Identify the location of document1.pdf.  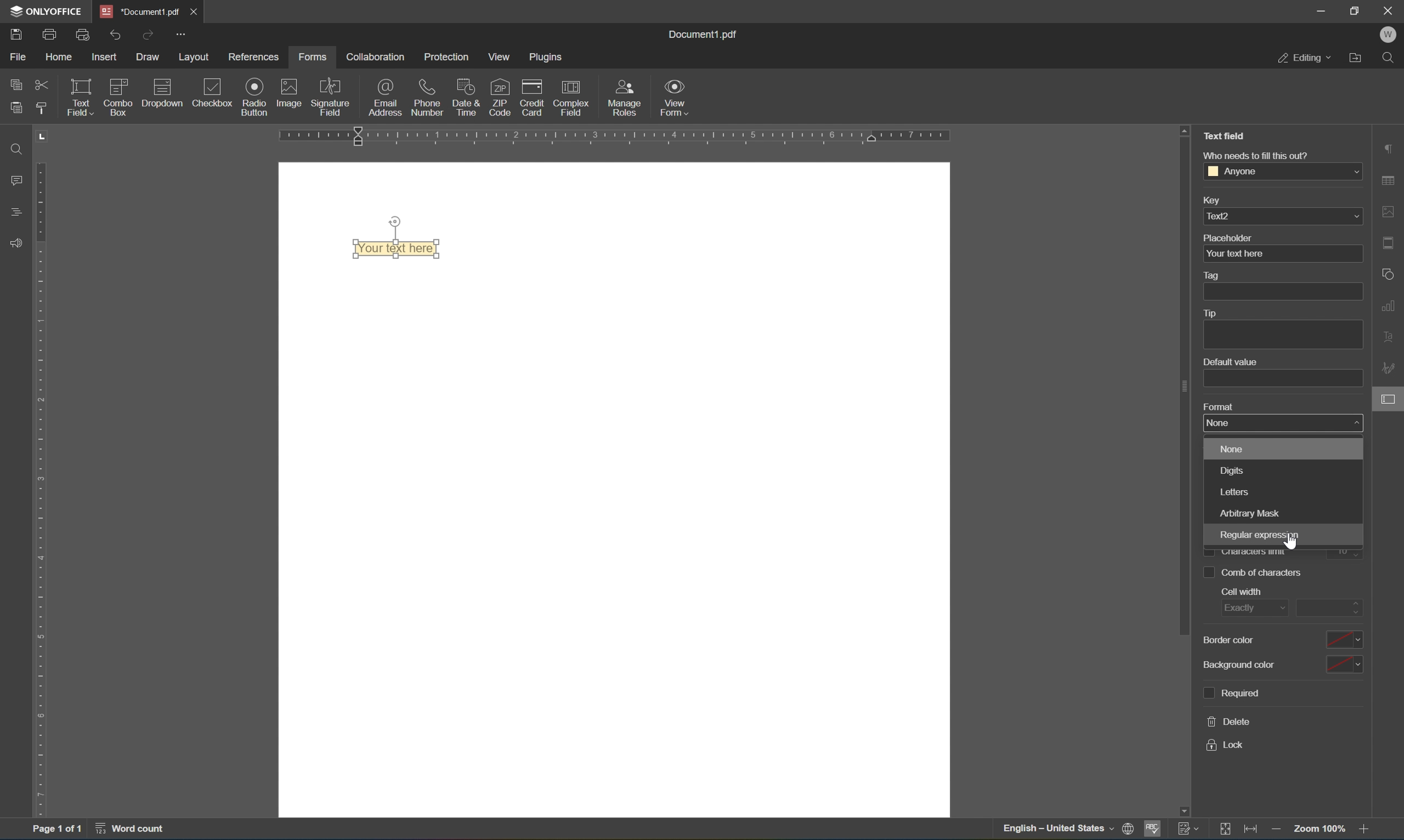
(707, 34).